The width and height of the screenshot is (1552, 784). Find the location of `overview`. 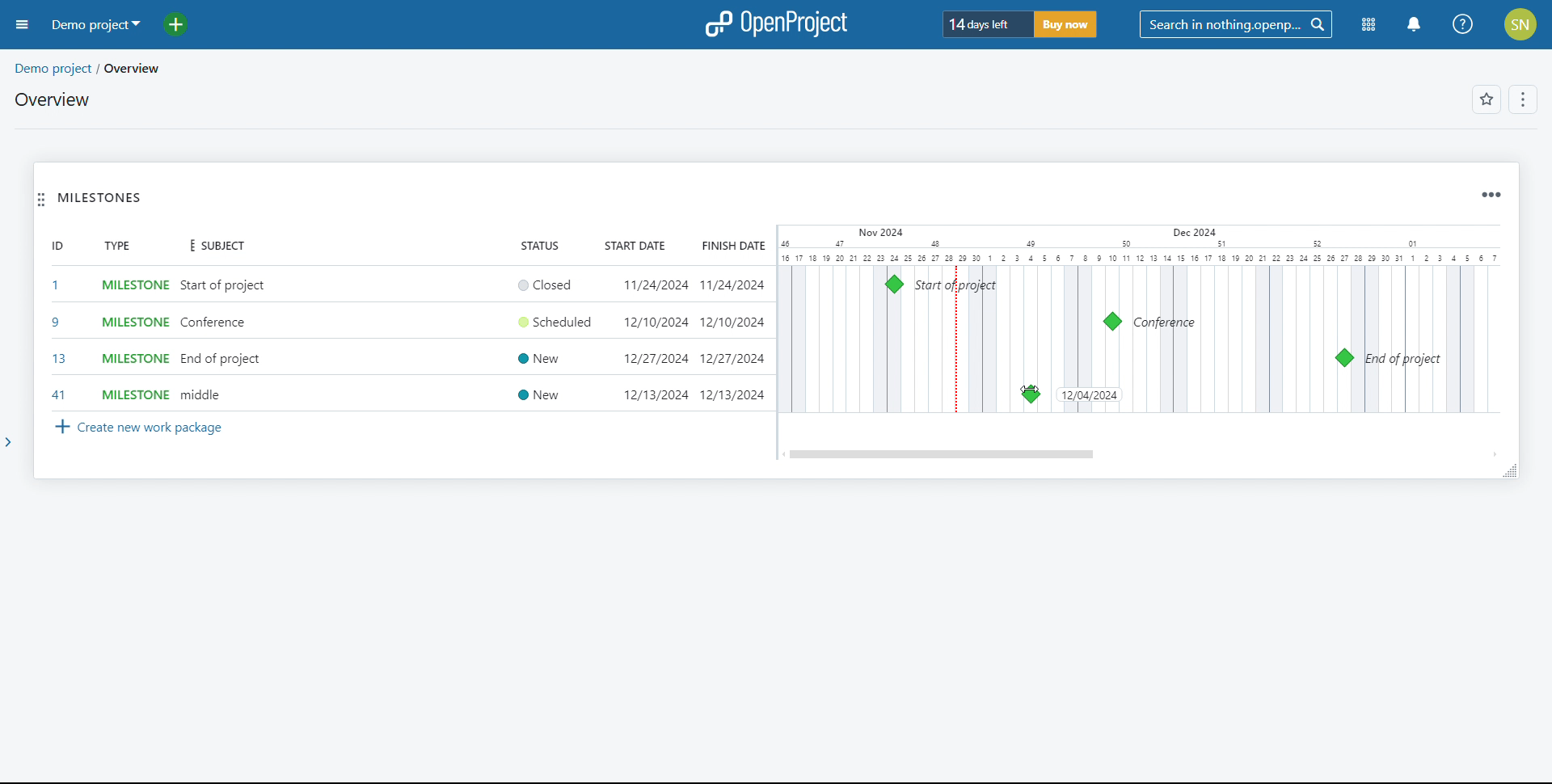

overview is located at coordinates (53, 99).